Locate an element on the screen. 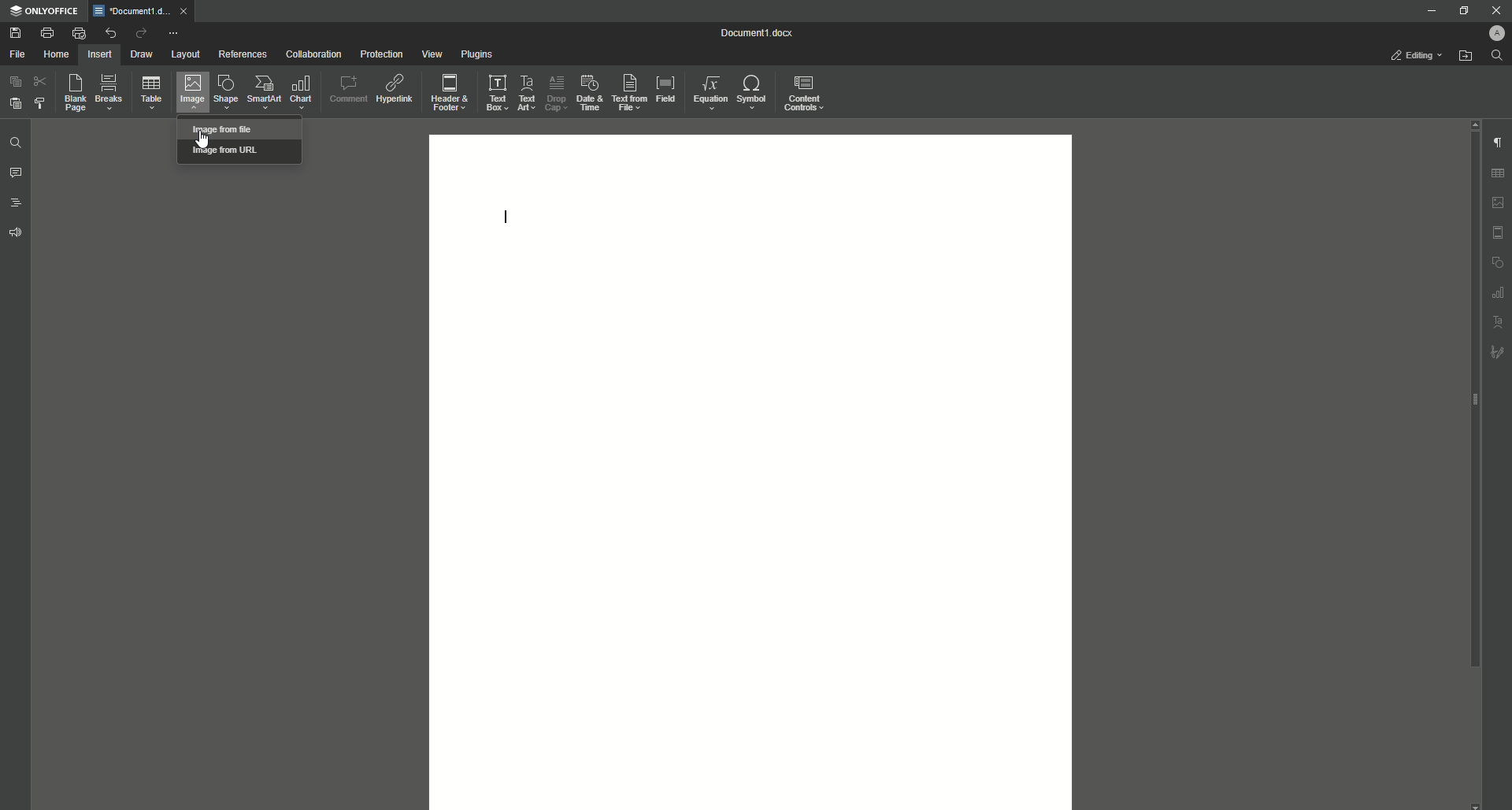  Scroll Up is located at coordinates (1471, 124).